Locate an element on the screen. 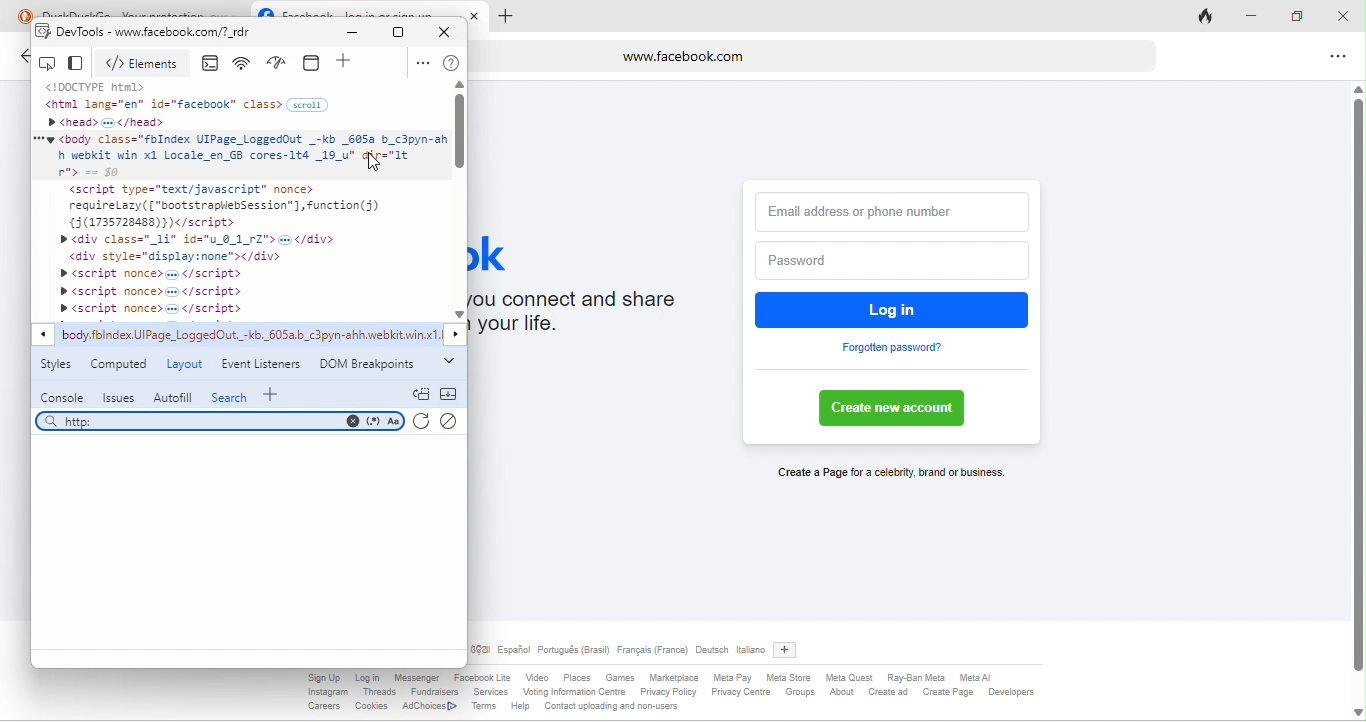 The image size is (1366, 722). issues is located at coordinates (117, 397).